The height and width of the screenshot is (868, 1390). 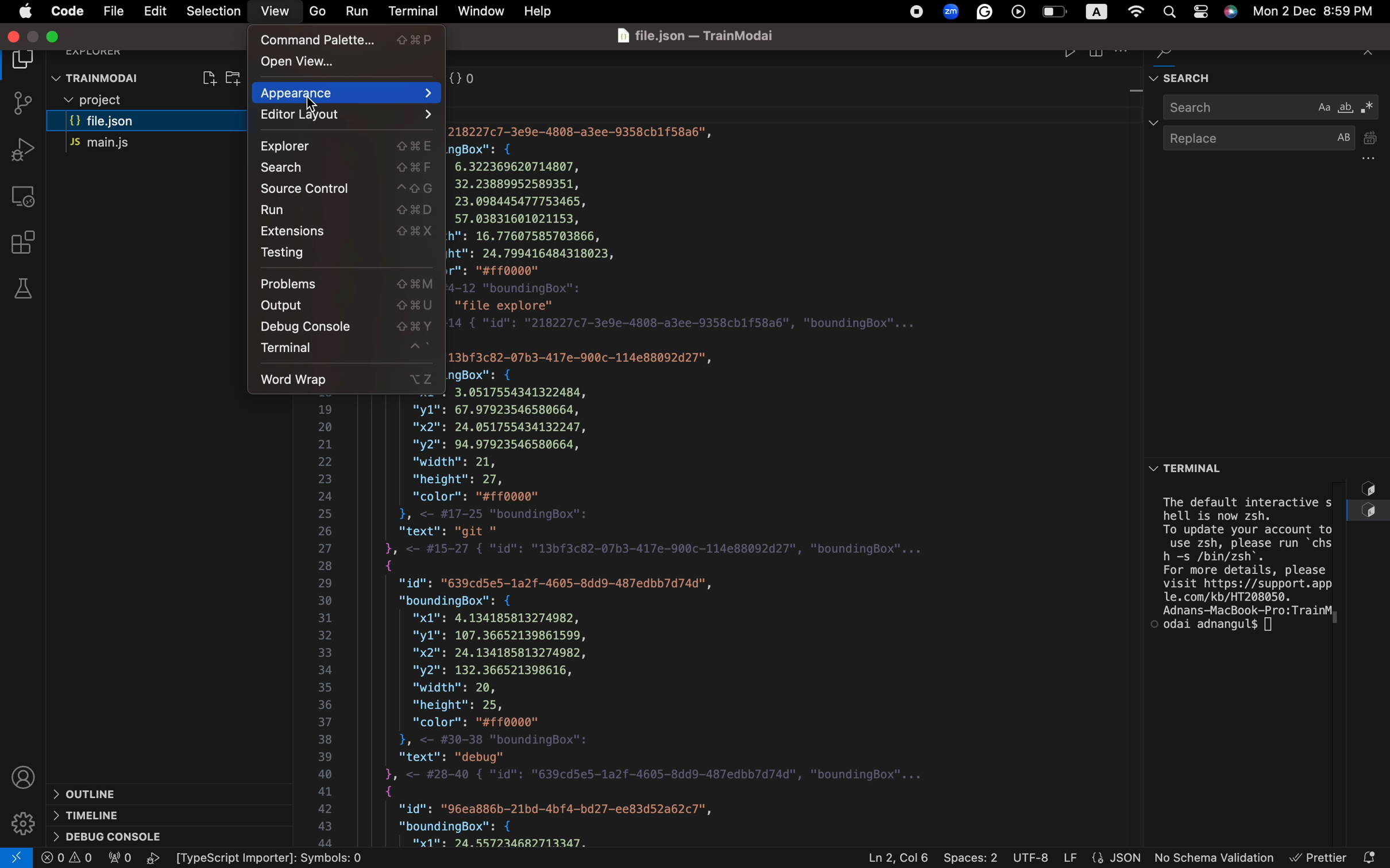 I want to click on open view, so click(x=347, y=61).